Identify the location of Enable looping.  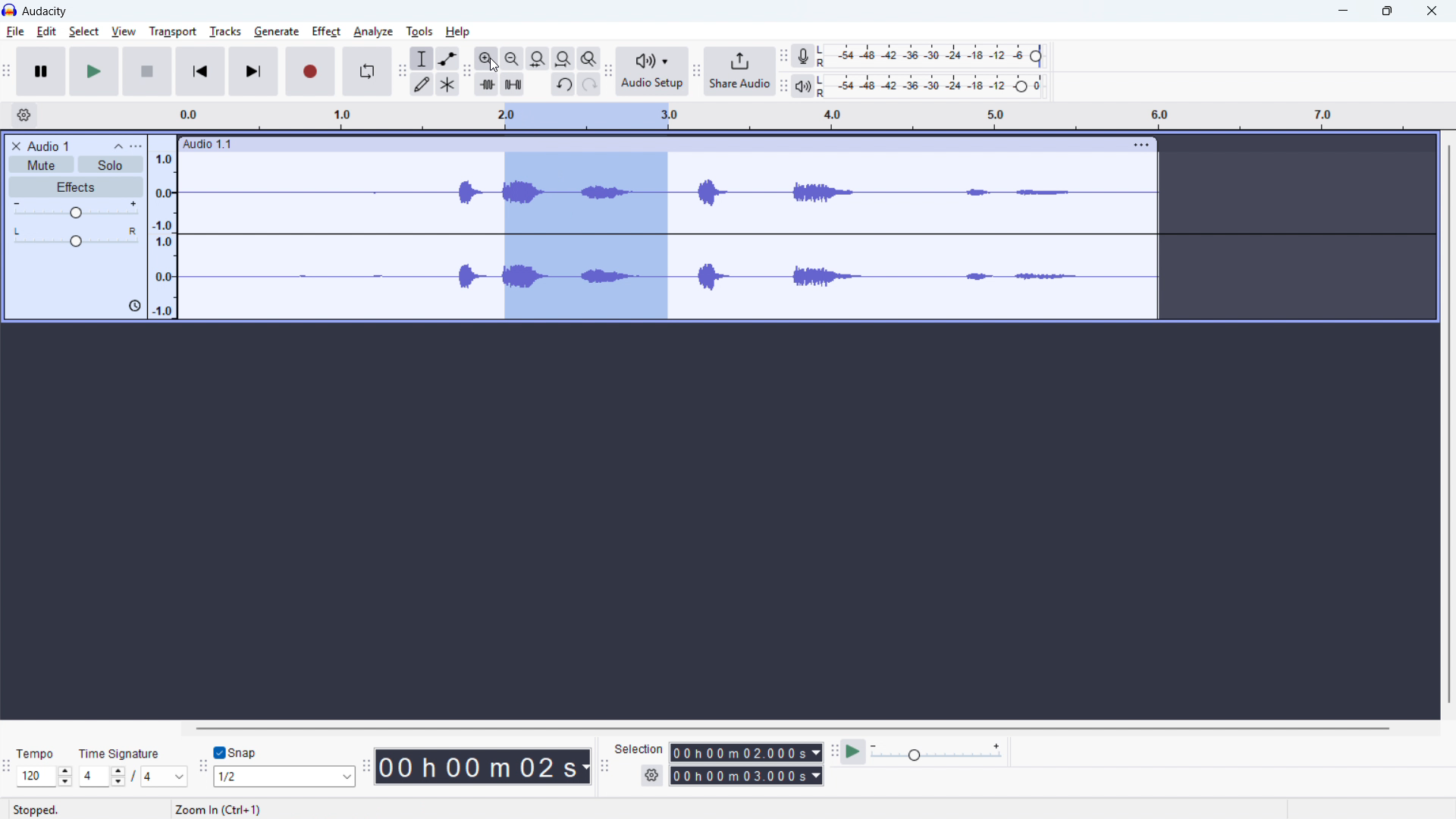
(368, 71).